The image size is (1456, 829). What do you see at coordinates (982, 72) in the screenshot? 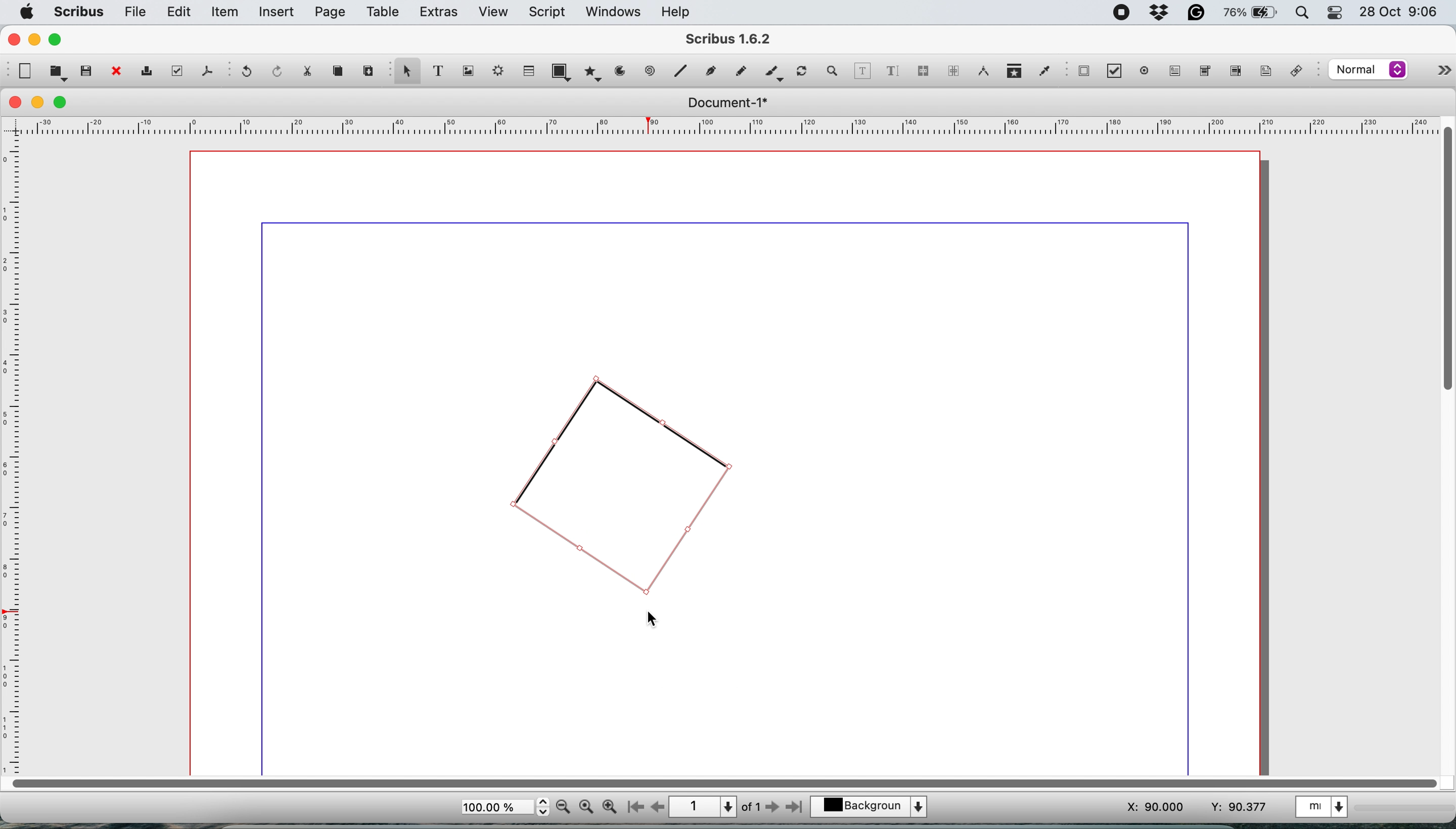
I see `measurements` at bounding box center [982, 72].